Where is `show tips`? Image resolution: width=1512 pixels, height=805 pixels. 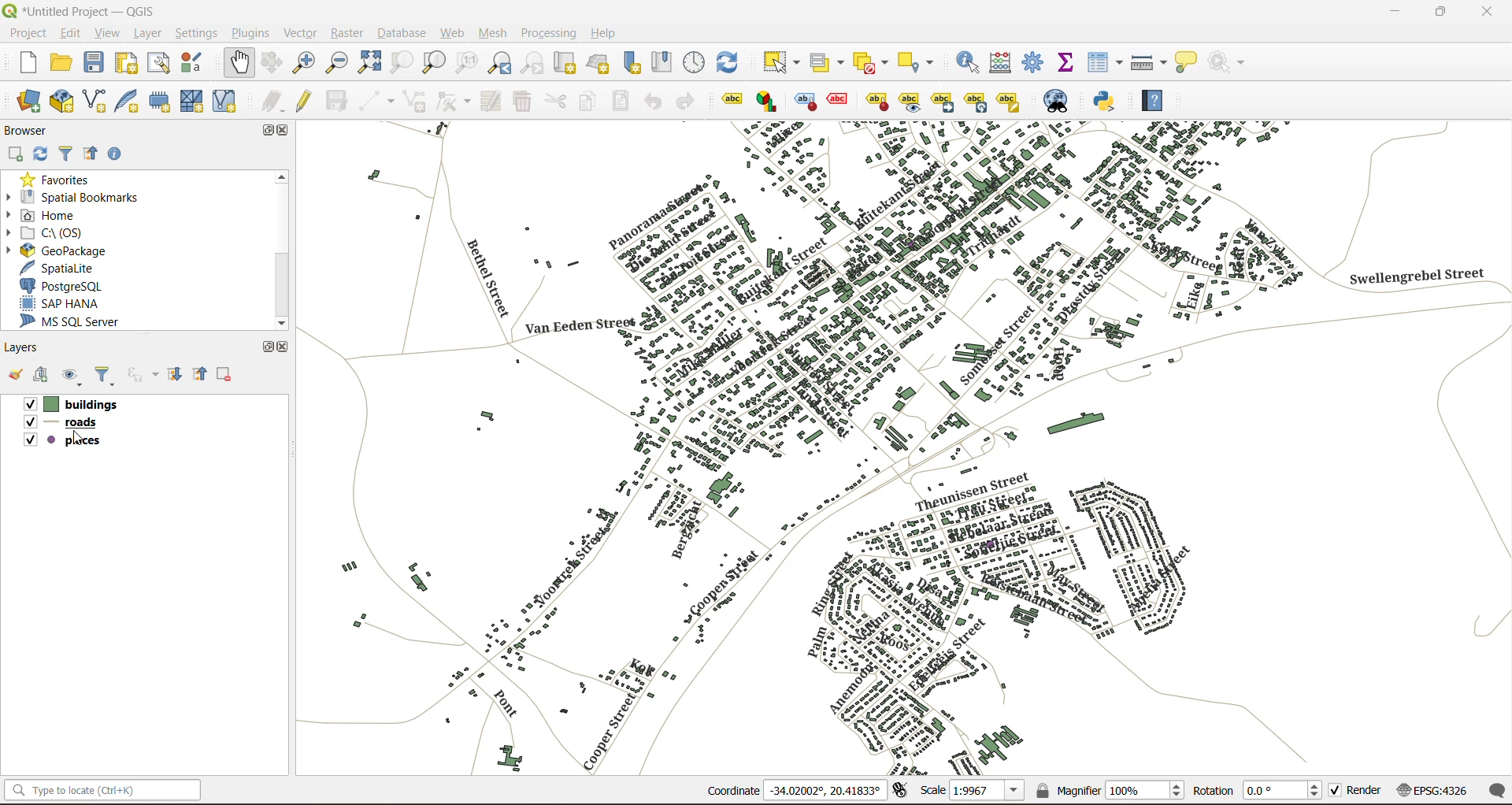
show tips is located at coordinates (1187, 63).